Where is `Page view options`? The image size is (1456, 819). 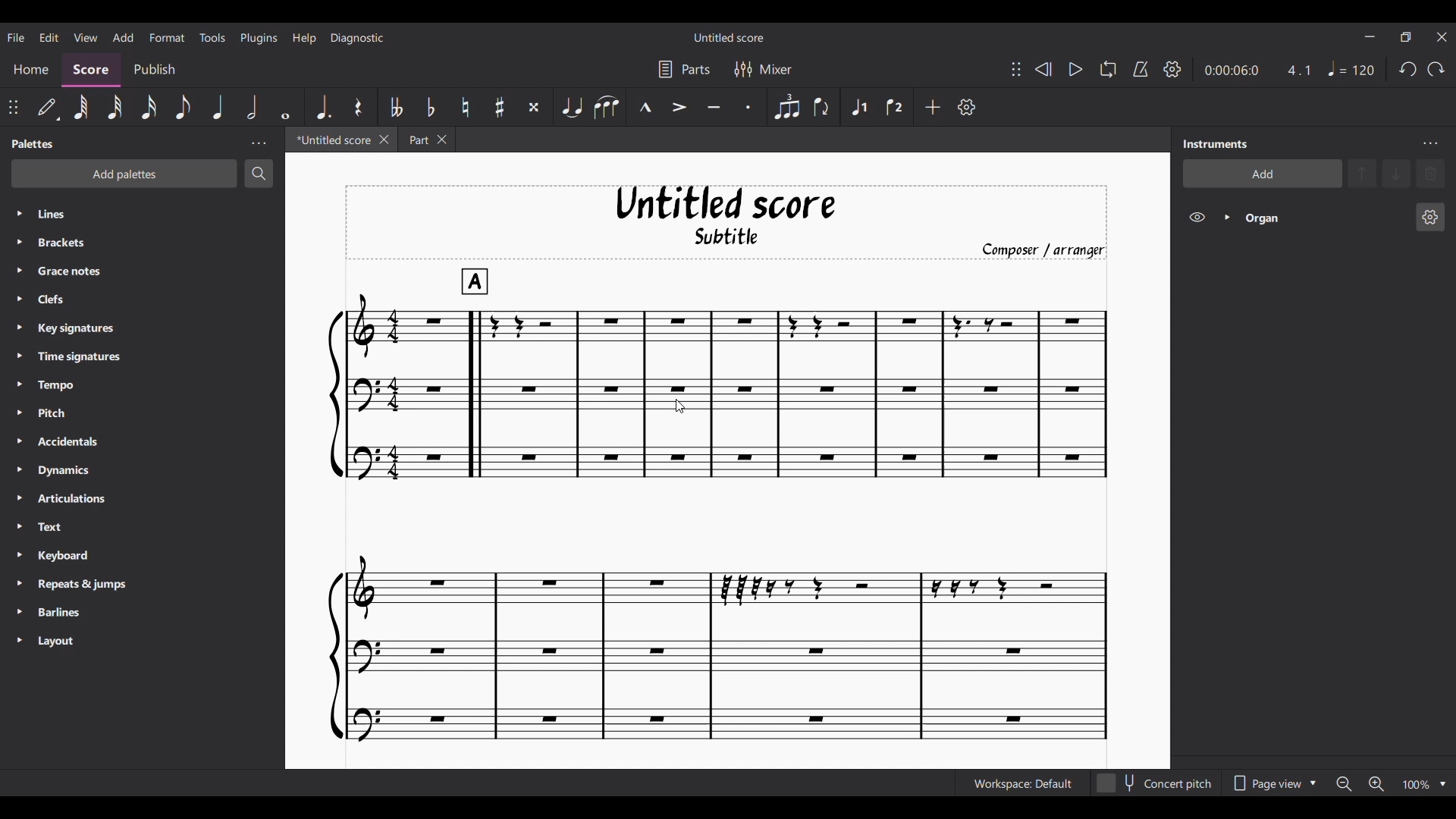 Page view options is located at coordinates (1272, 783).